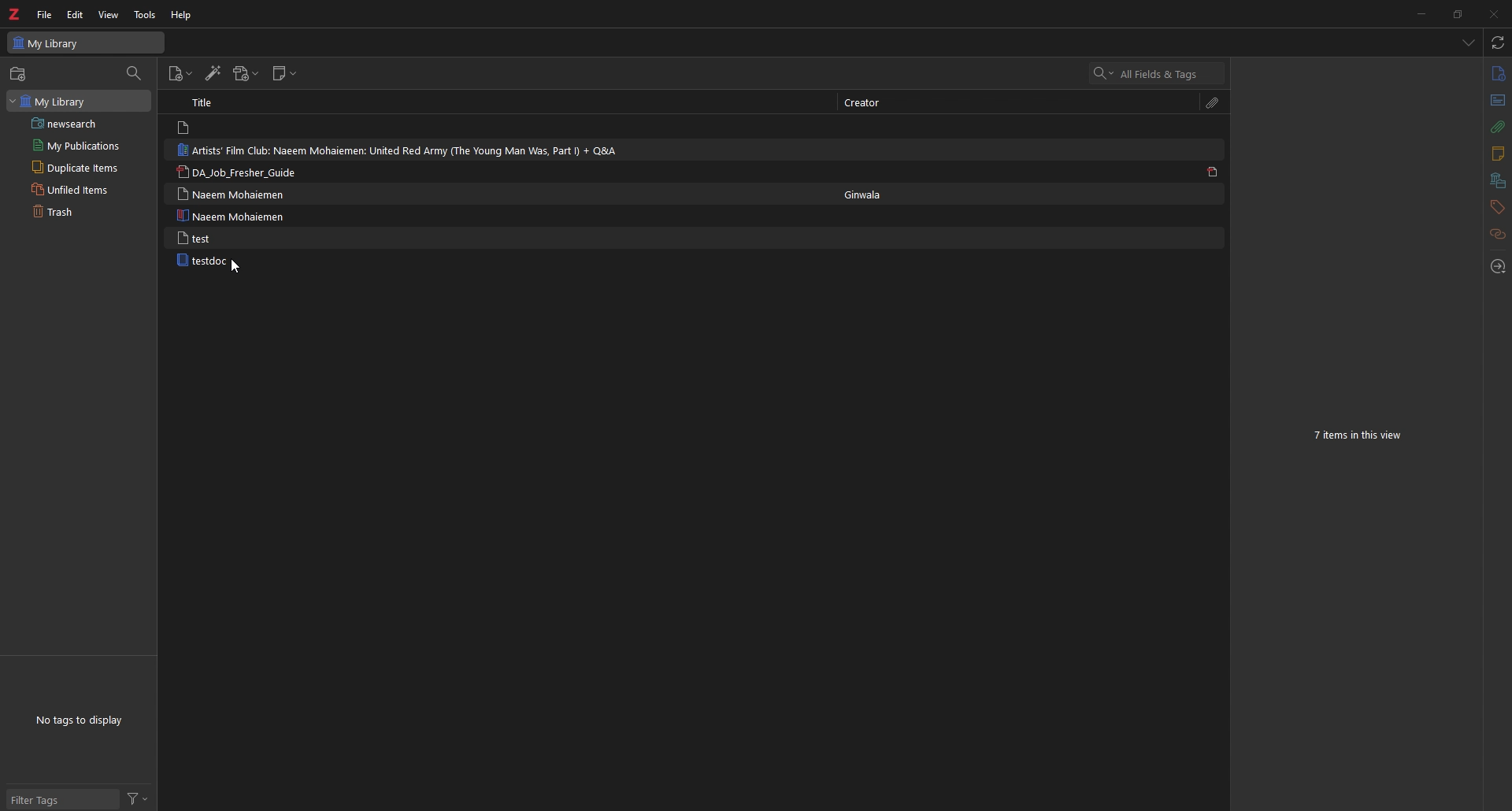  What do you see at coordinates (1499, 235) in the screenshot?
I see `related` at bounding box center [1499, 235].